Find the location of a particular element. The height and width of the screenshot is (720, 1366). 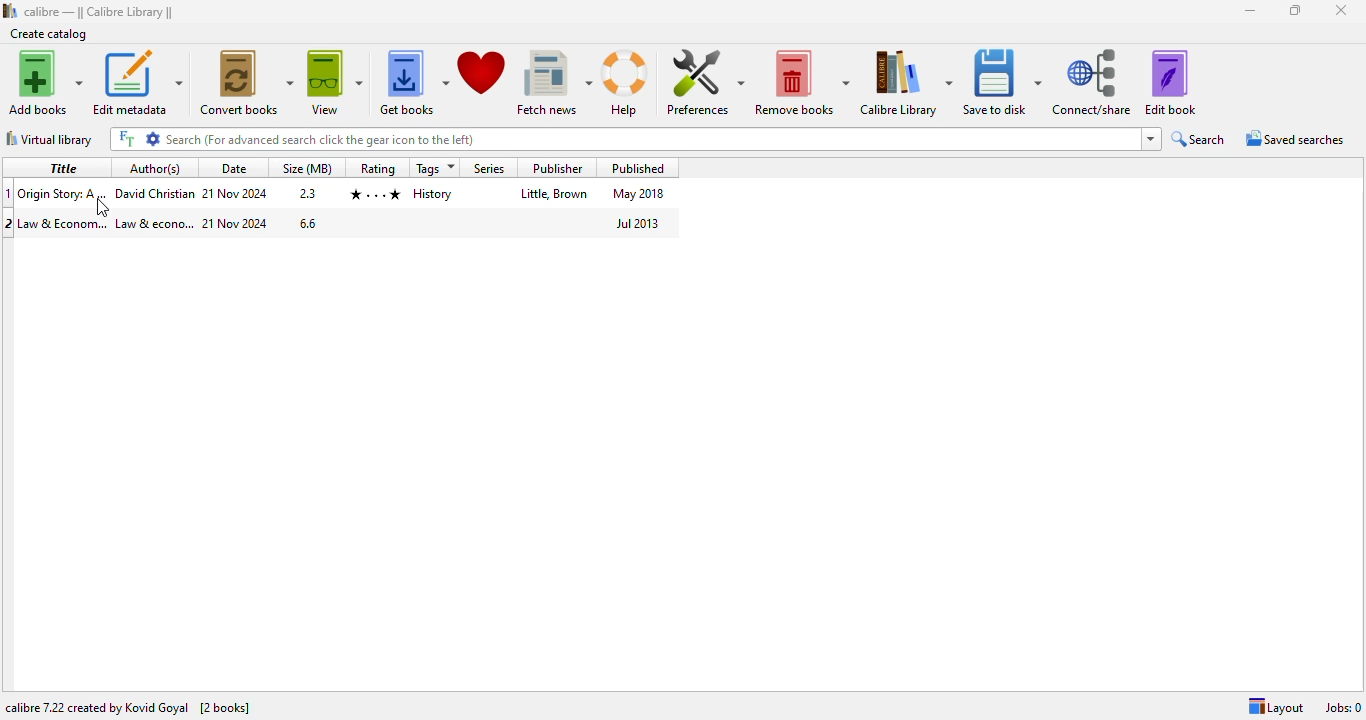

preferences is located at coordinates (703, 82).